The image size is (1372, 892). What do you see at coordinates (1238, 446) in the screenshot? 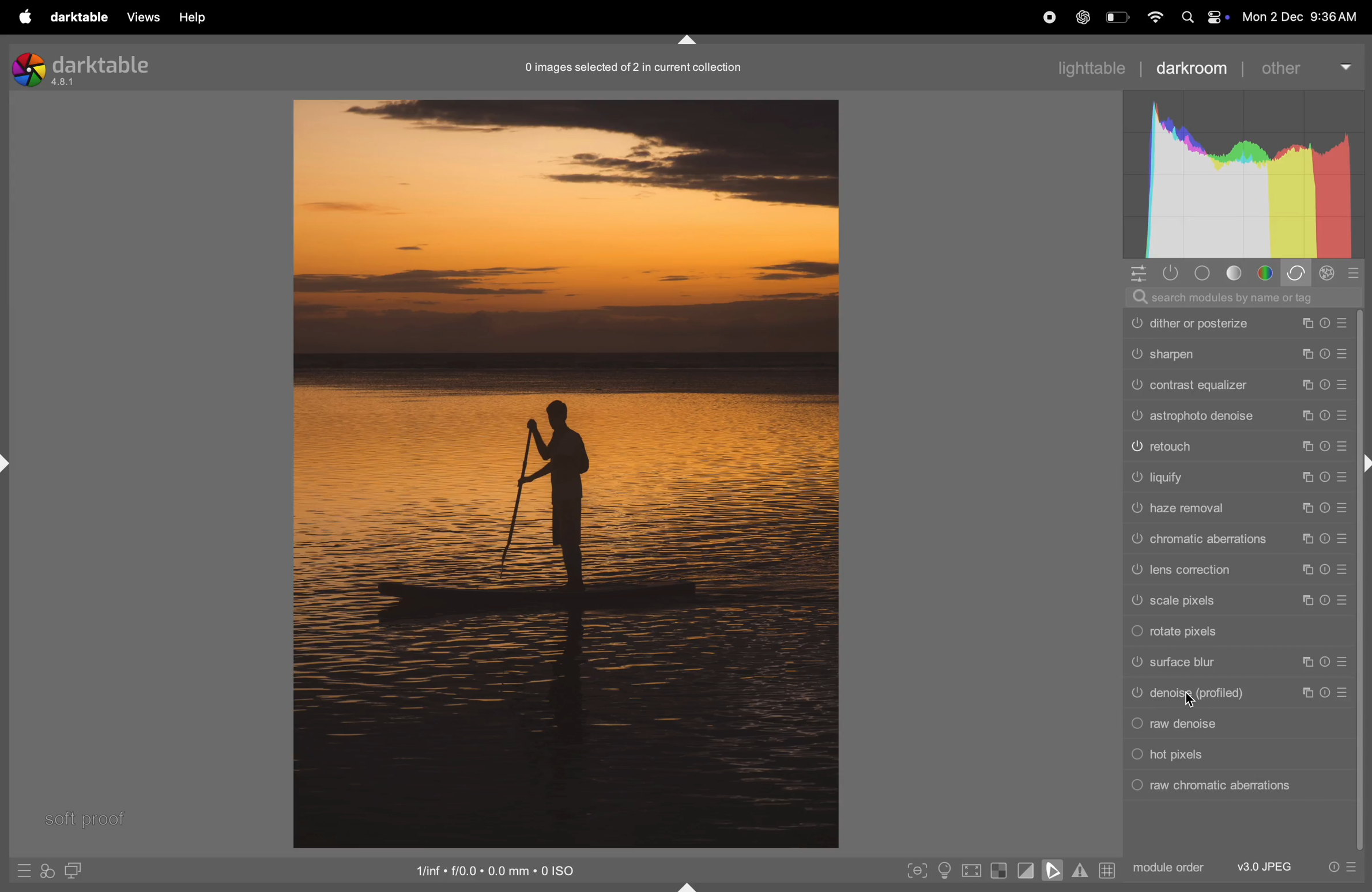
I see `retouch` at bounding box center [1238, 446].